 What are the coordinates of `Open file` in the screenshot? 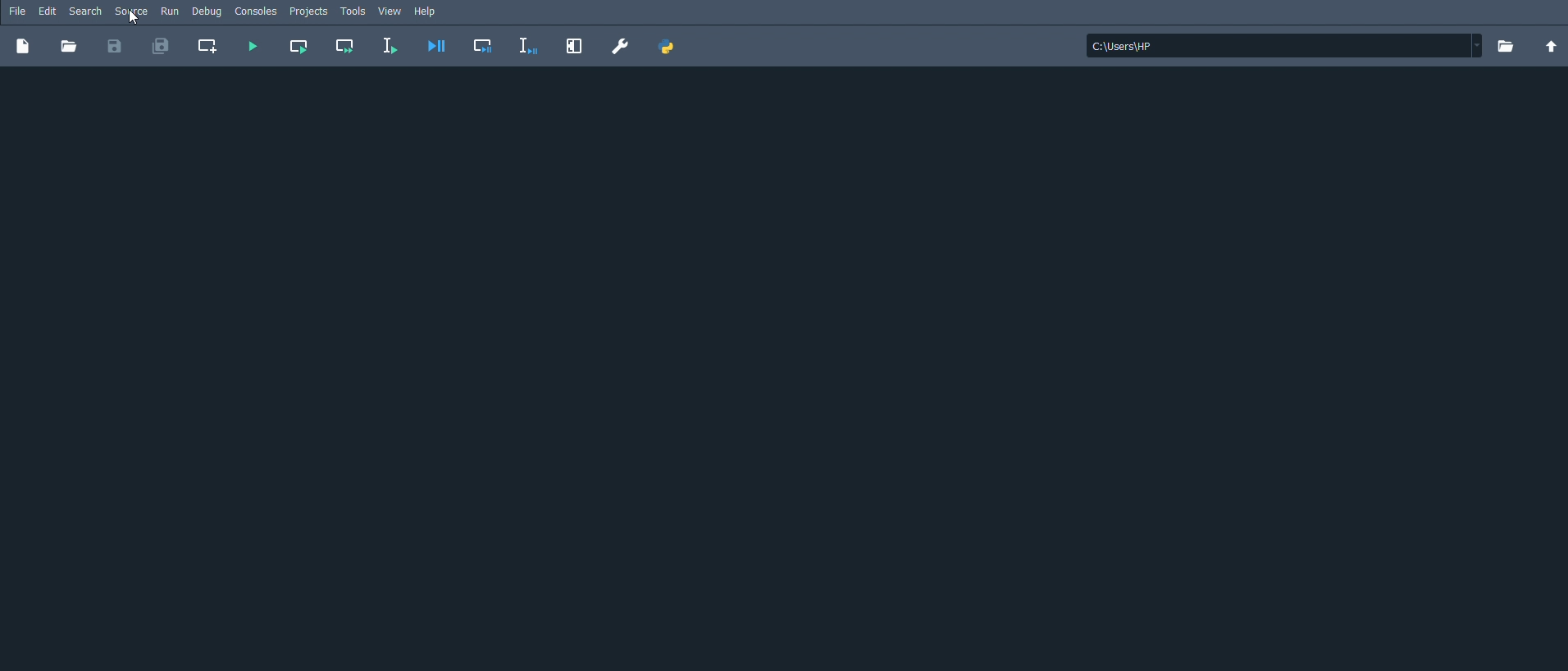 It's located at (71, 48).